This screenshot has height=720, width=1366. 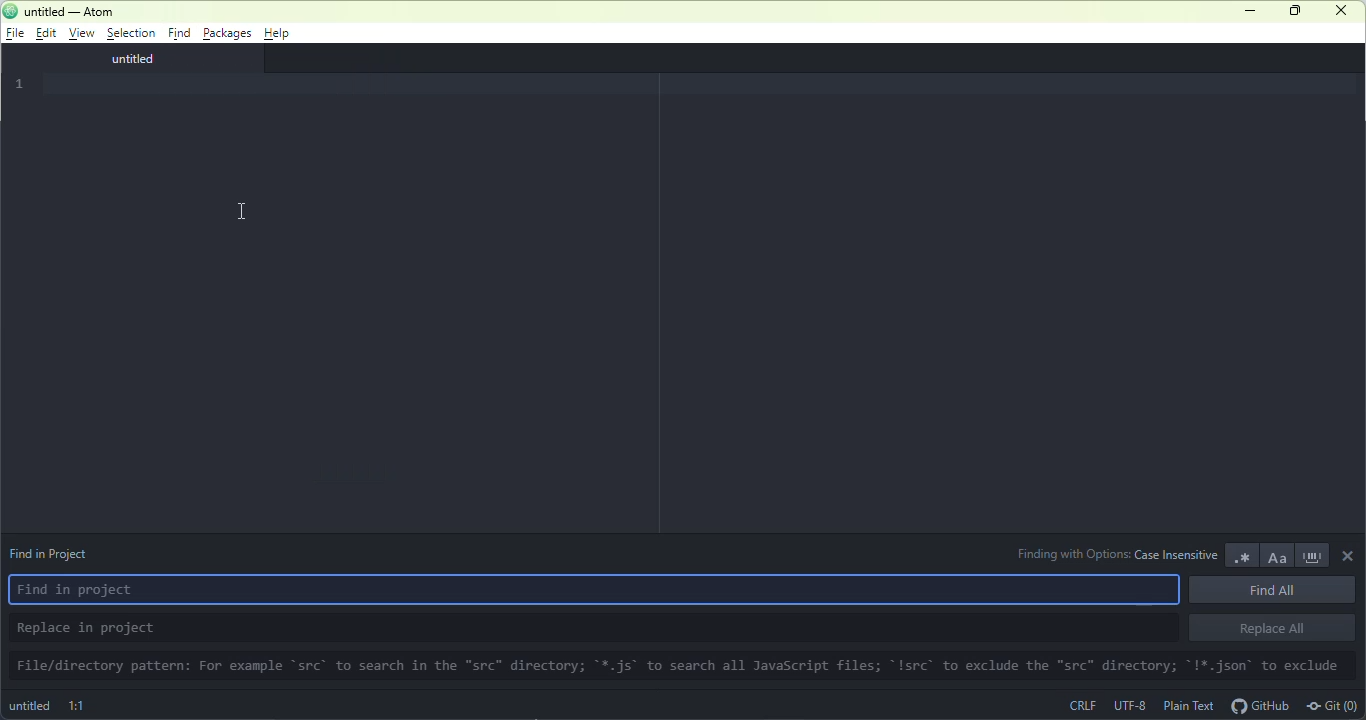 I want to click on file, so click(x=15, y=33).